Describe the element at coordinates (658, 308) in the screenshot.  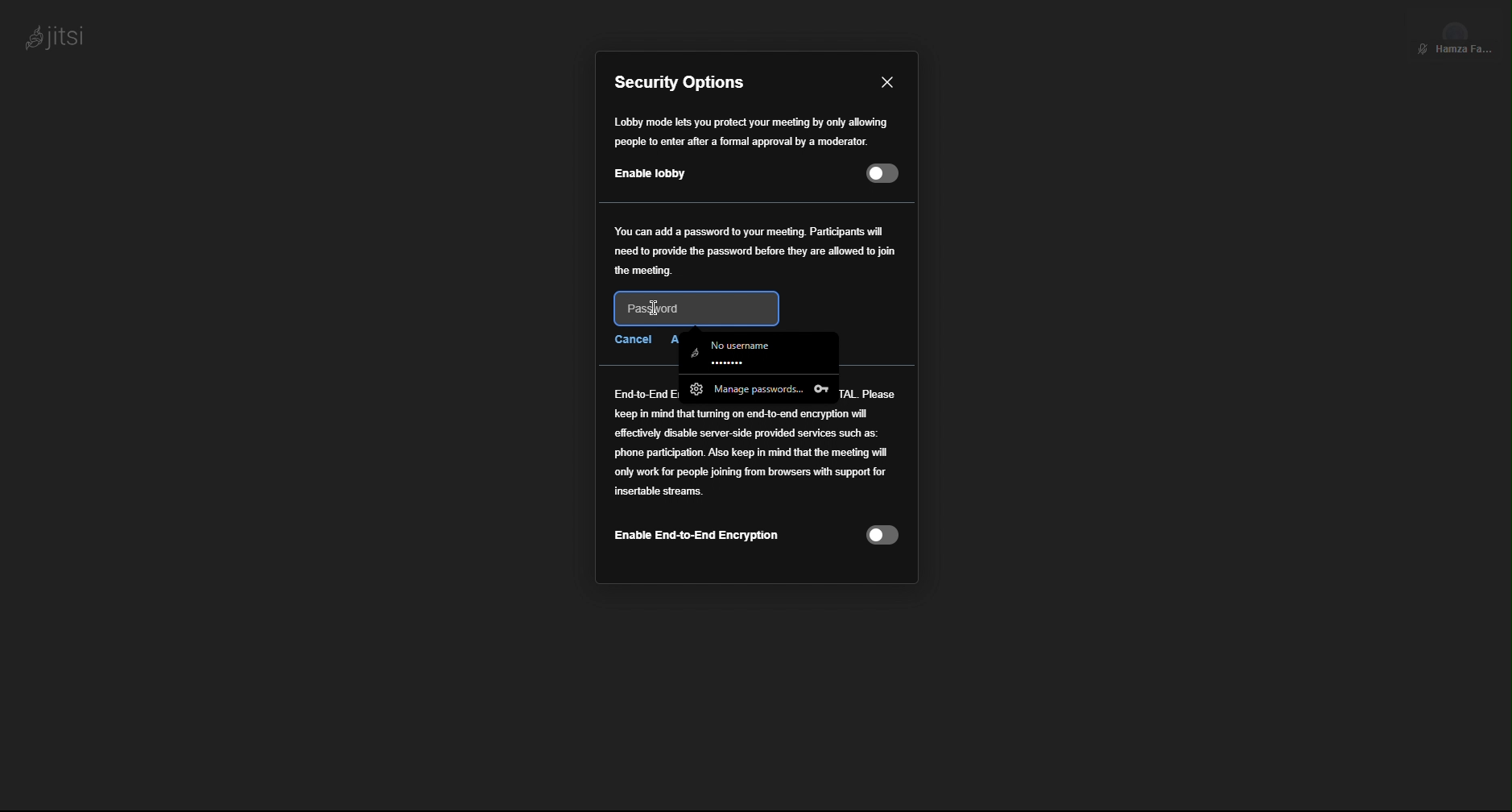
I see `Cursor` at that location.